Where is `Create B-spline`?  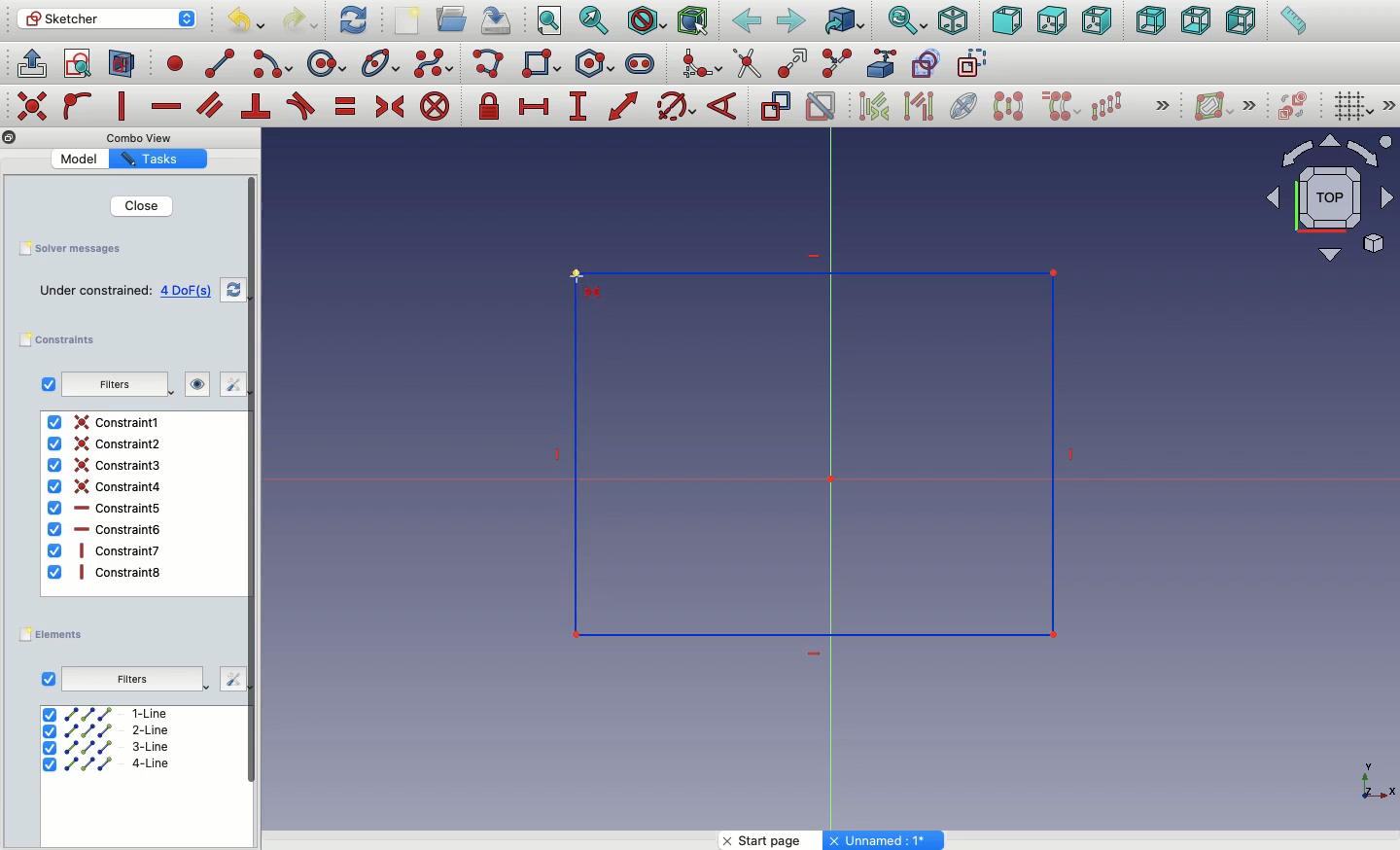 Create B-spline is located at coordinates (434, 62).